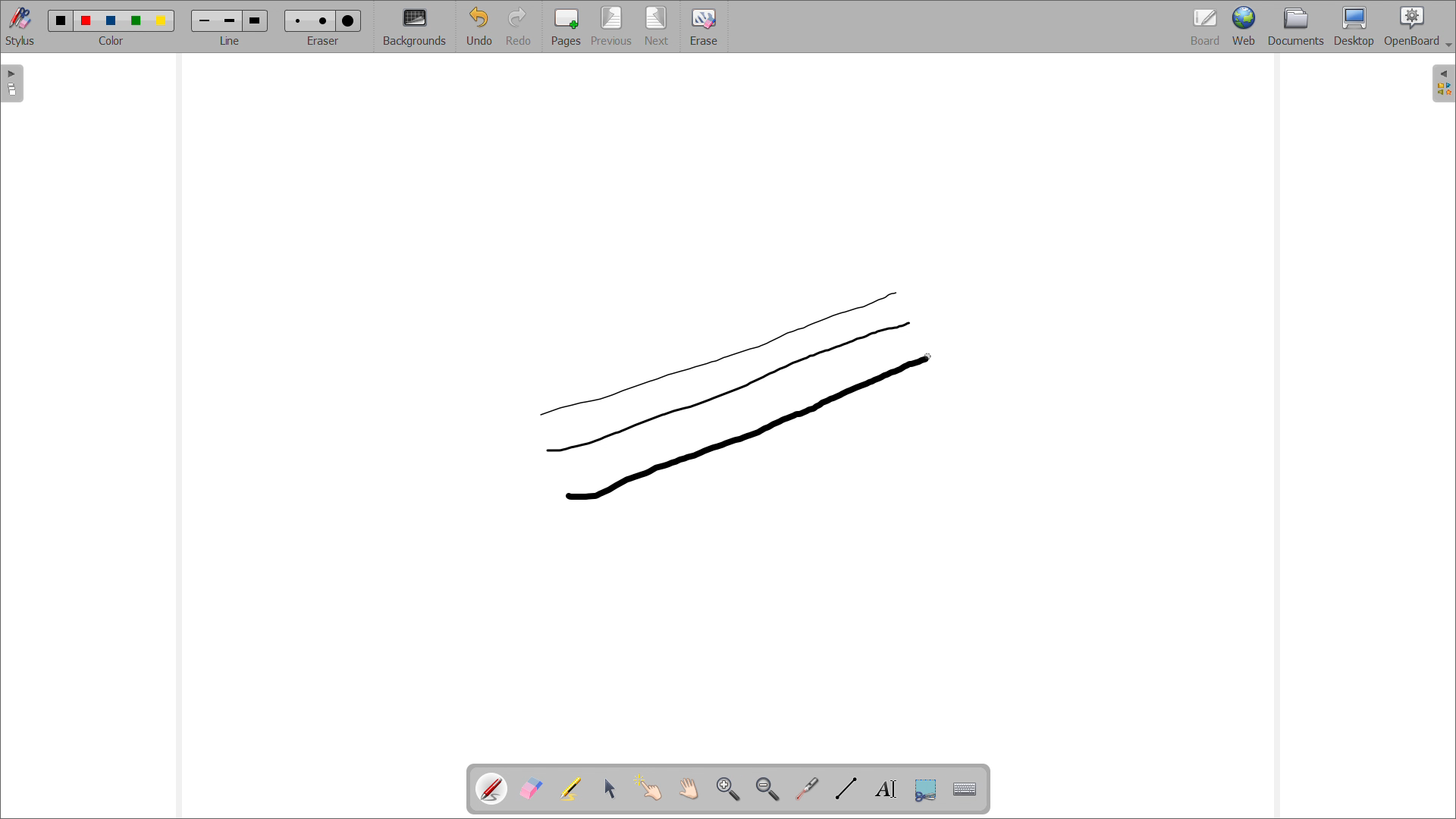 Image resolution: width=1456 pixels, height=819 pixels. I want to click on open folder view, so click(1443, 83).